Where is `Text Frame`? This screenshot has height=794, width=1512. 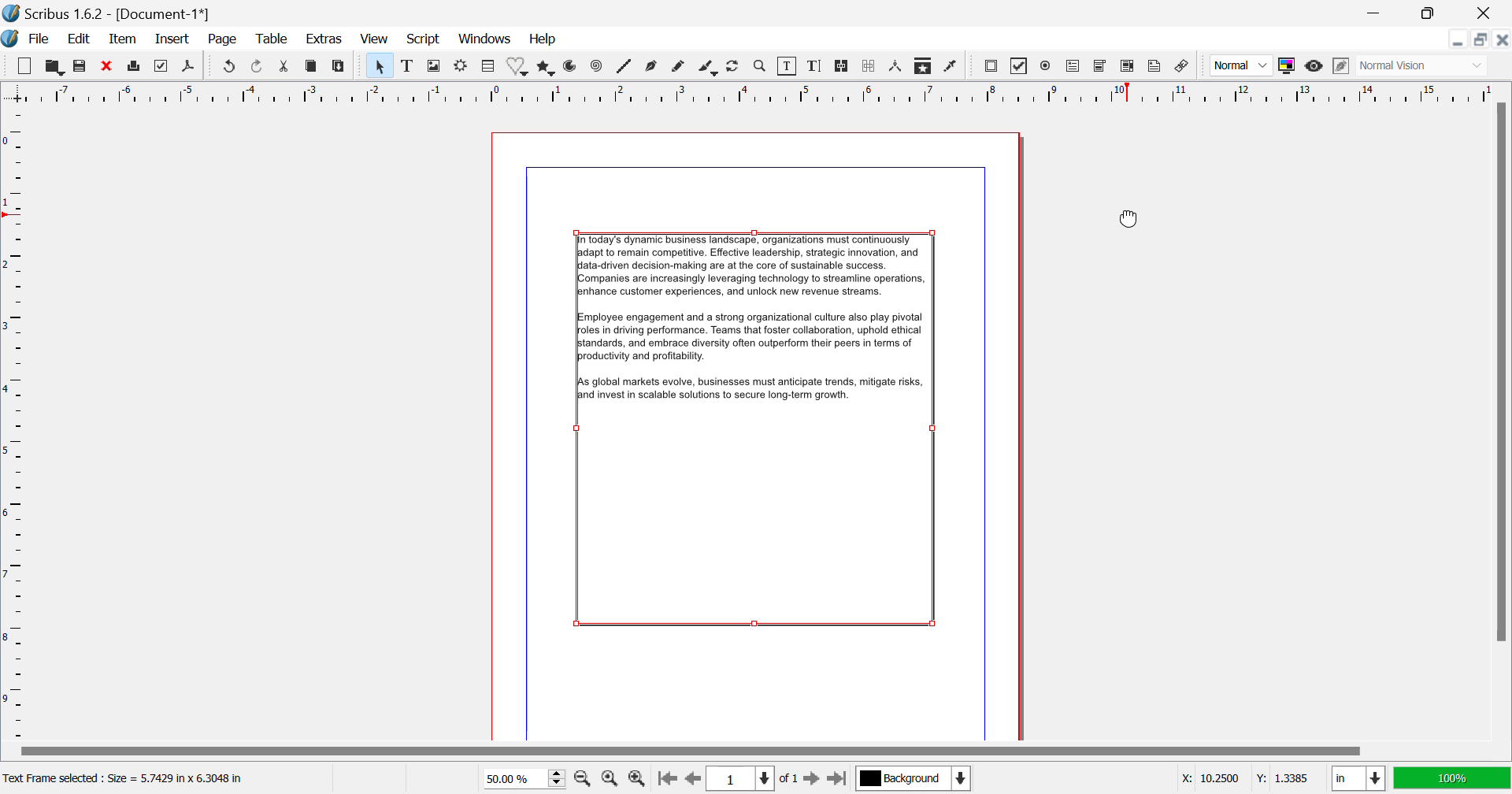
Text Frame is located at coordinates (407, 66).